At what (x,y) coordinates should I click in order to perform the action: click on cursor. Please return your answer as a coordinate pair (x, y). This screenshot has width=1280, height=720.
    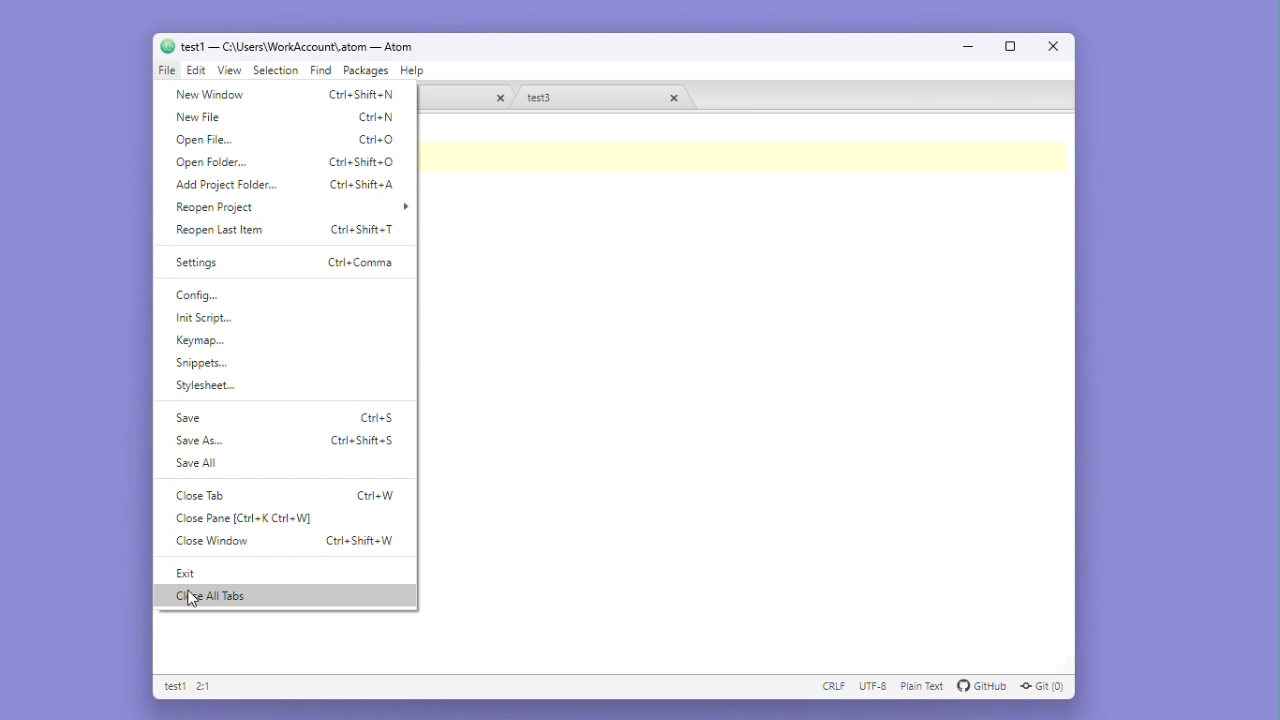
    Looking at the image, I should click on (194, 601).